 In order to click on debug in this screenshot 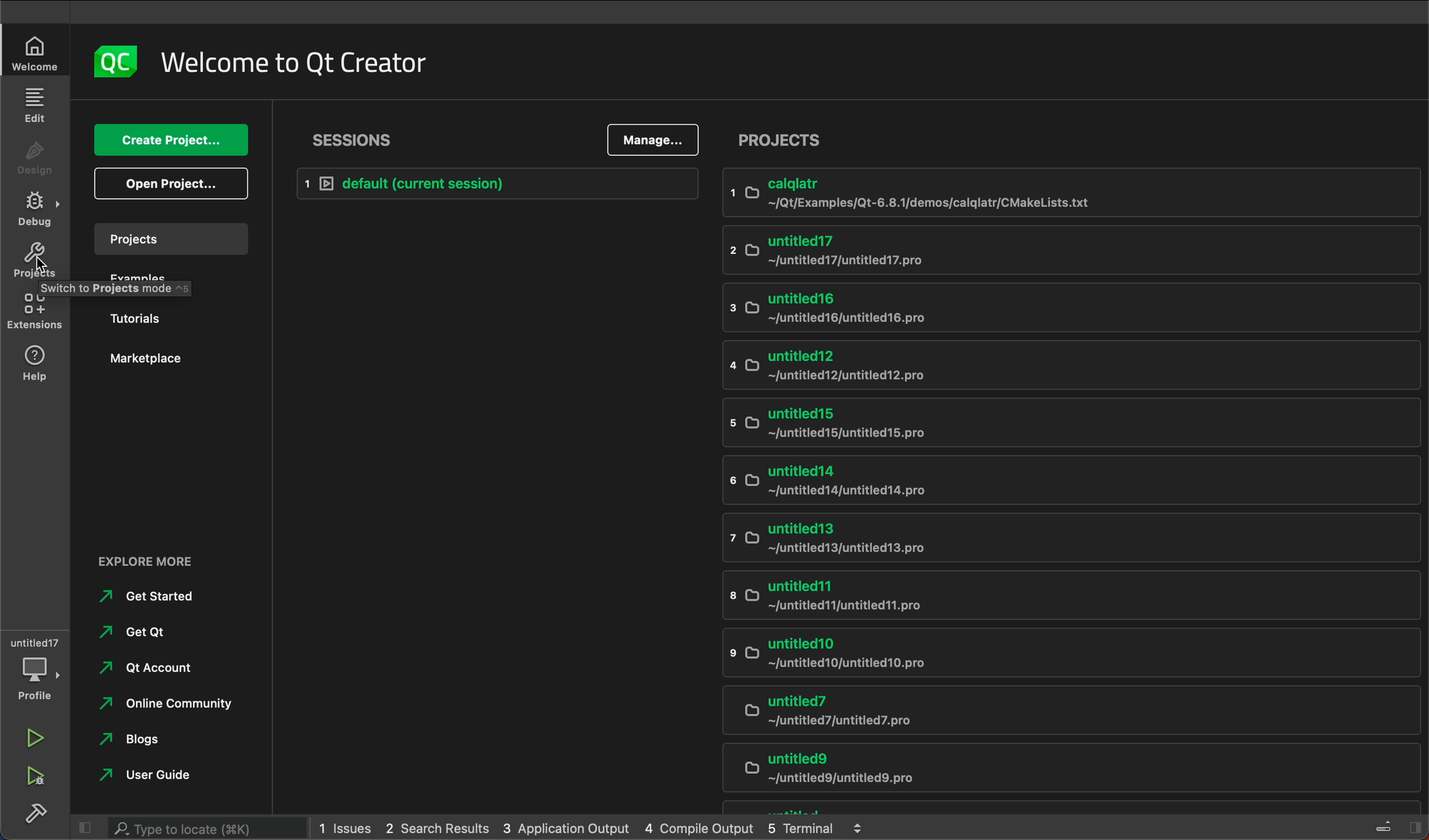, I will do `click(36, 211)`.